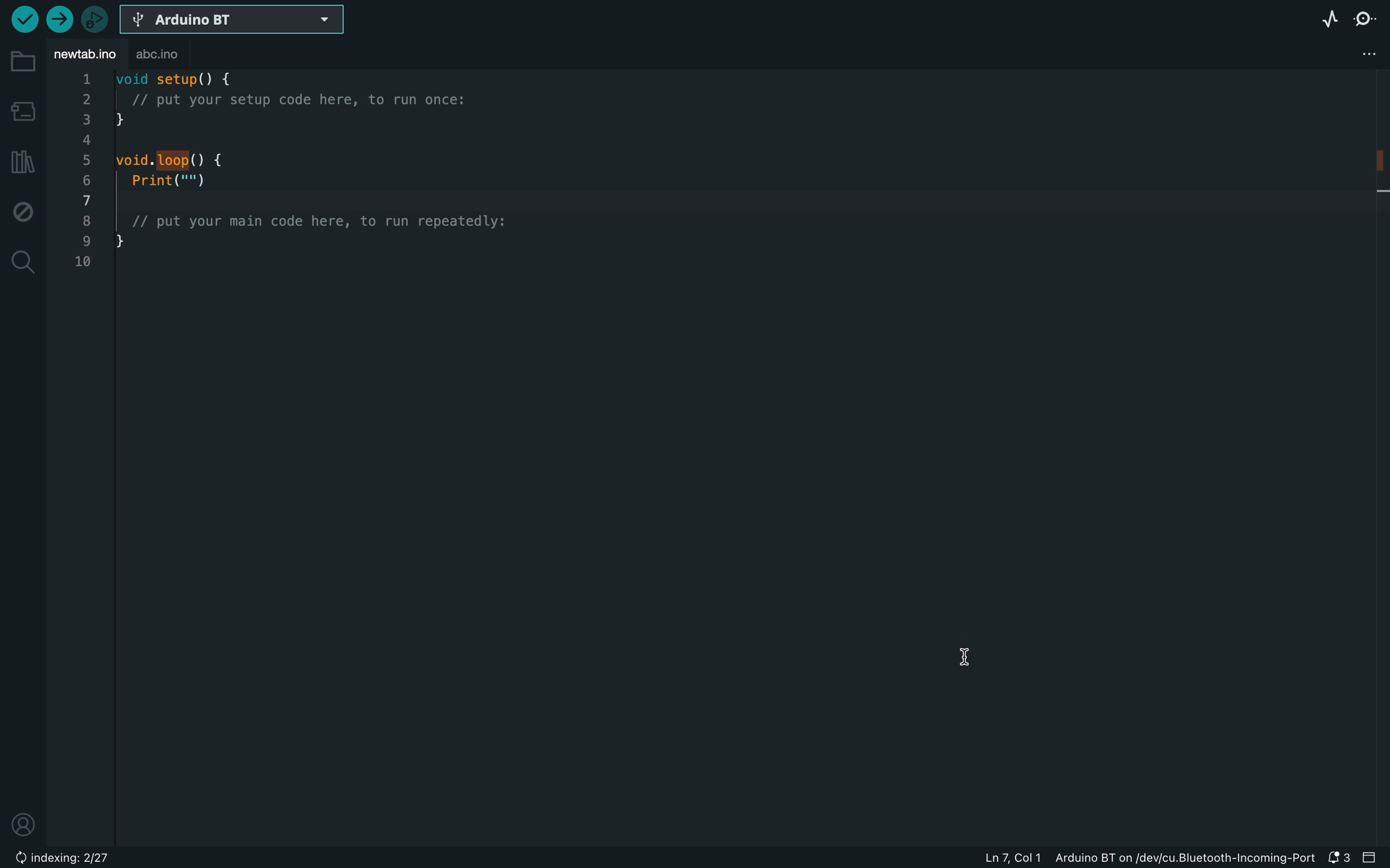  What do you see at coordinates (26, 824) in the screenshot?
I see `profile` at bounding box center [26, 824].